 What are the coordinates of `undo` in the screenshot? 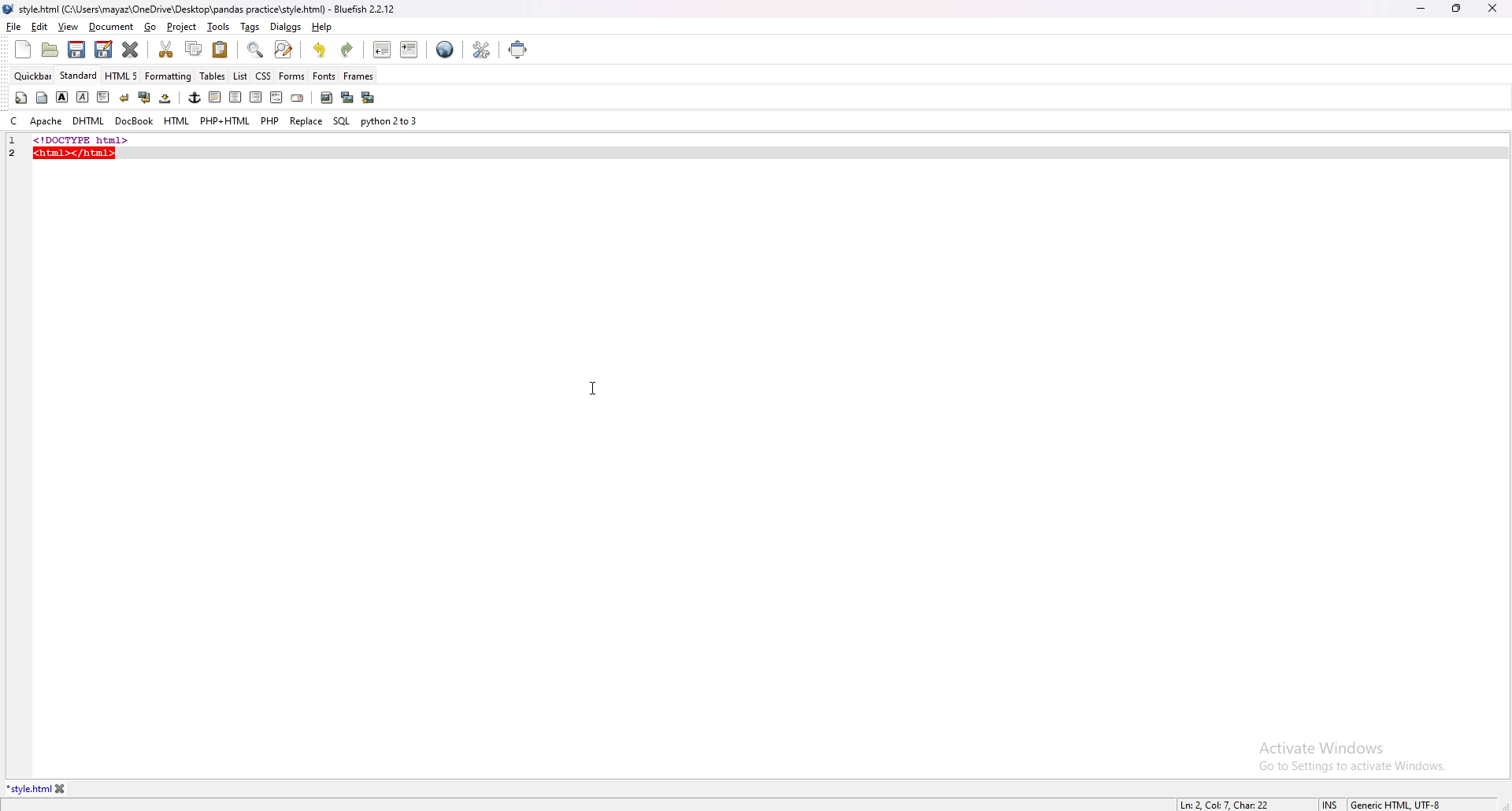 It's located at (321, 50).